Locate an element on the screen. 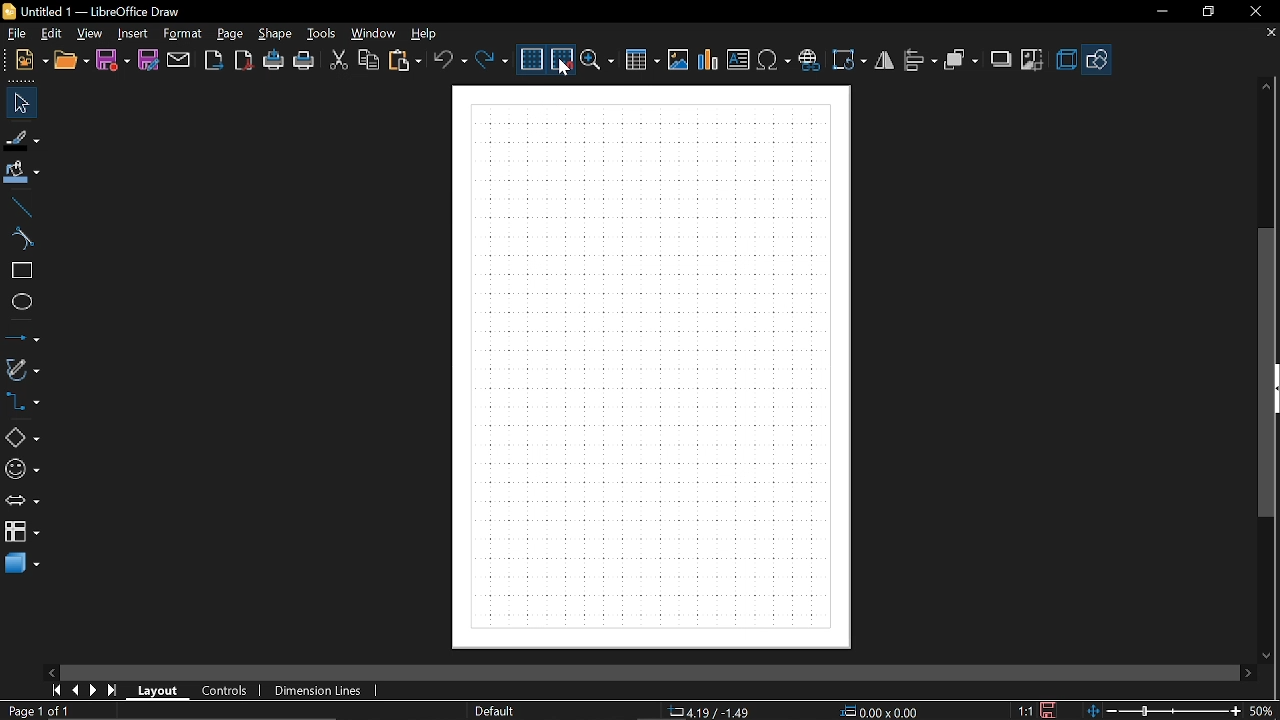 This screenshot has width=1280, height=720. save is located at coordinates (1050, 709).